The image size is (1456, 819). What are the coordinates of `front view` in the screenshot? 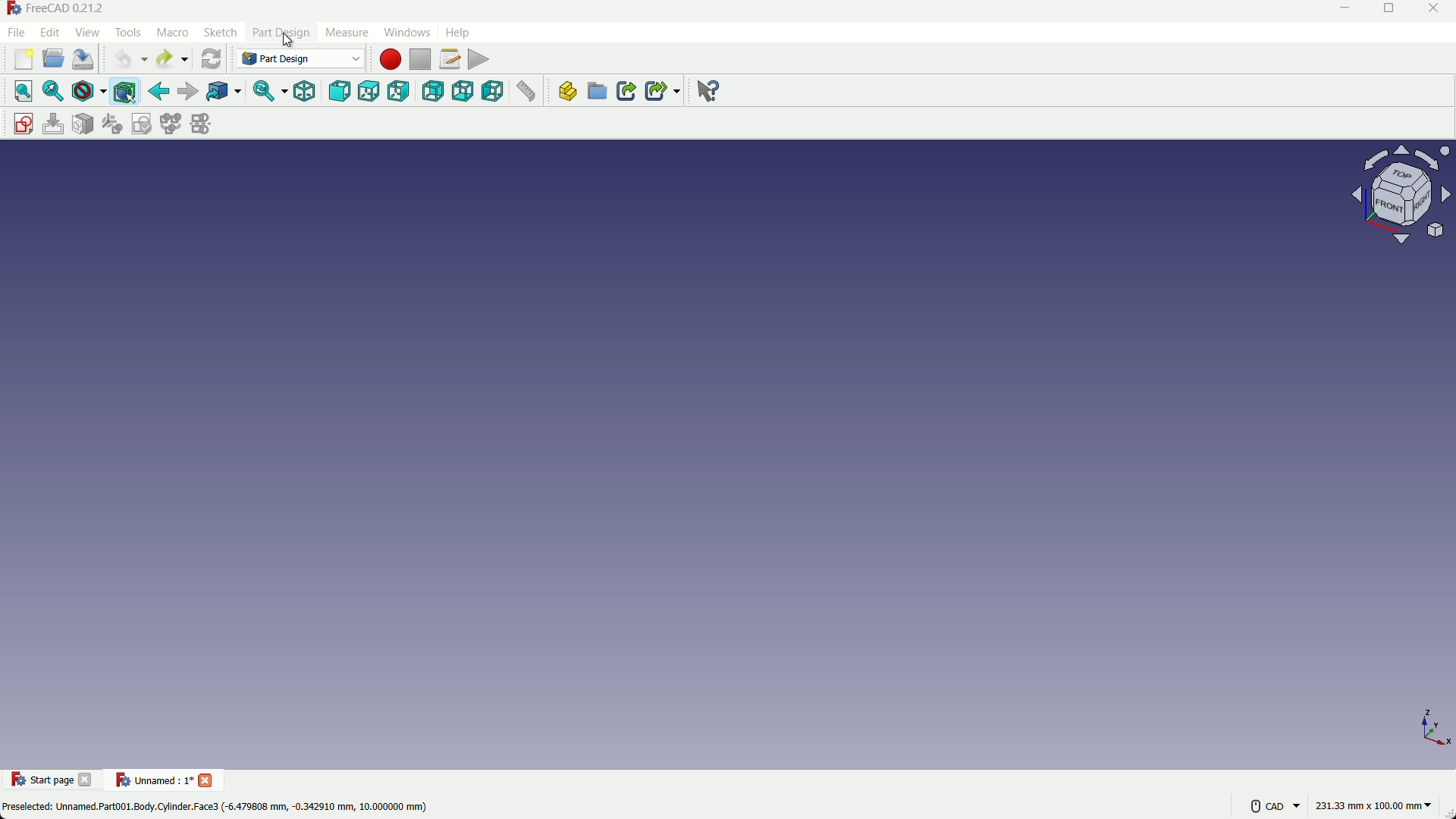 It's located at (341, 92).